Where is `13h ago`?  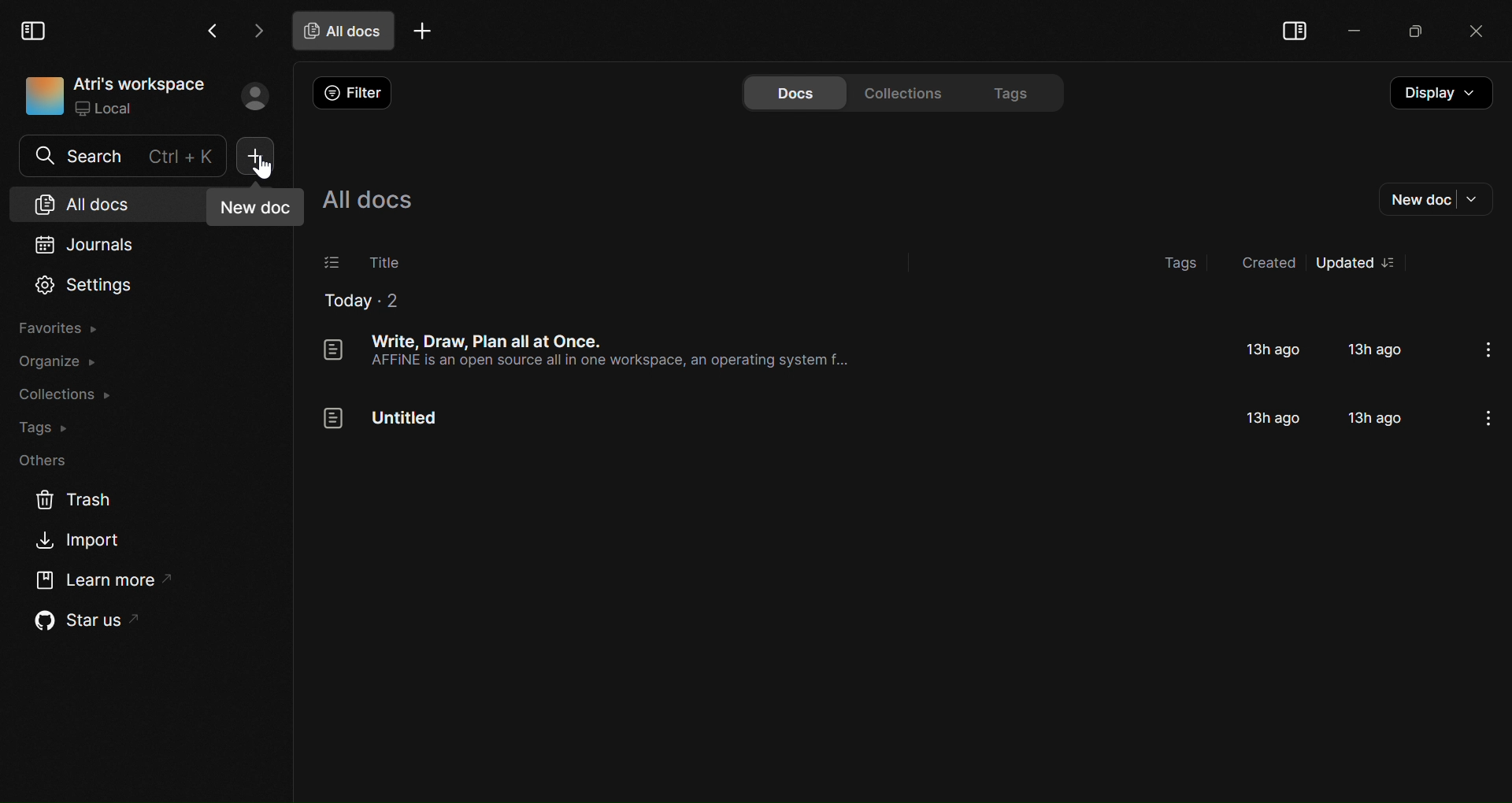 13h ago is located at coordinates (1273, 350).